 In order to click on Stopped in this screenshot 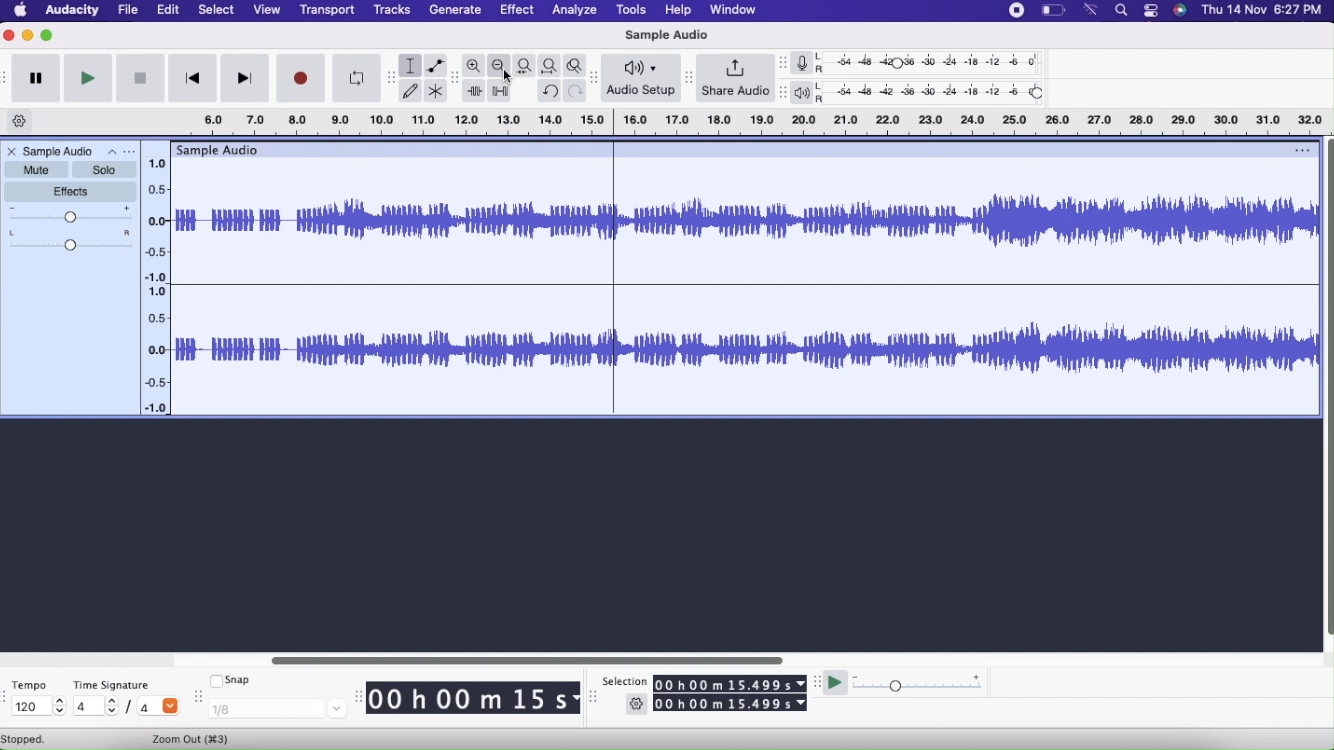, I will do `click(28, 740)`.